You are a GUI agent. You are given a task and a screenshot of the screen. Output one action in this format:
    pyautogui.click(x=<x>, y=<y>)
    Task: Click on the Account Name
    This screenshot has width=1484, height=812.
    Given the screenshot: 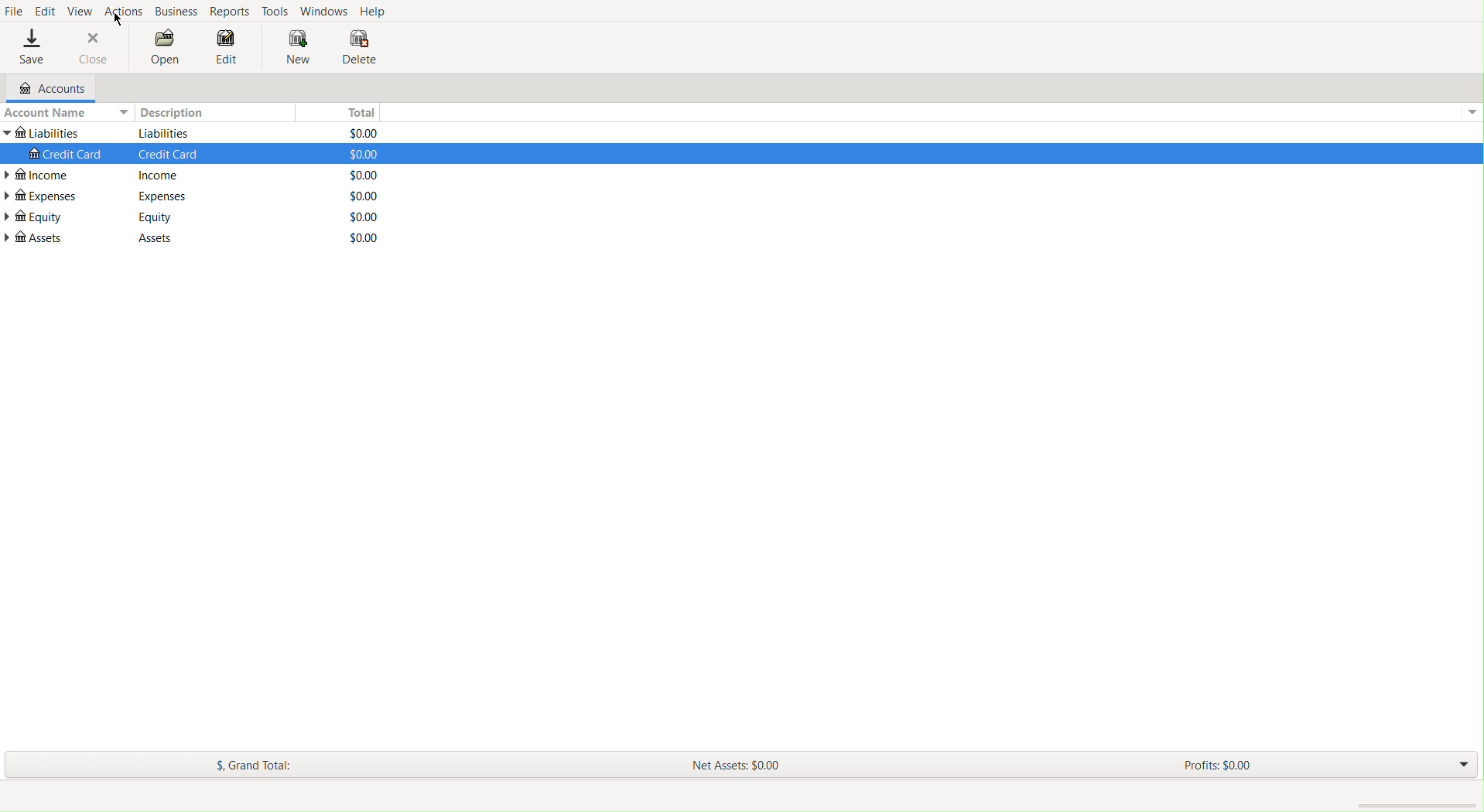 What is the action you would take?
    pyautogui.click(x=66, y=113)
    